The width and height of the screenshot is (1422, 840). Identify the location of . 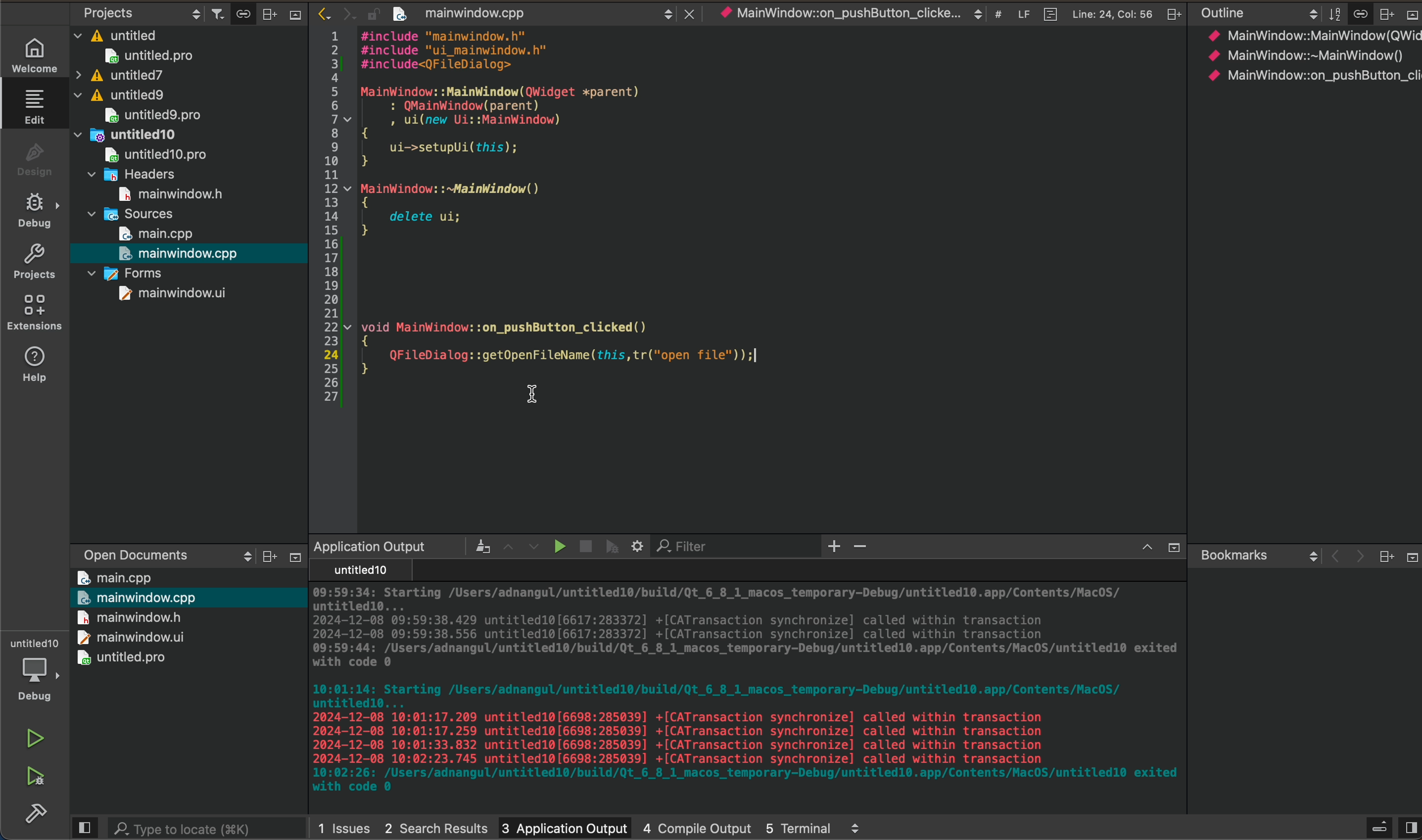
(1385, 13).